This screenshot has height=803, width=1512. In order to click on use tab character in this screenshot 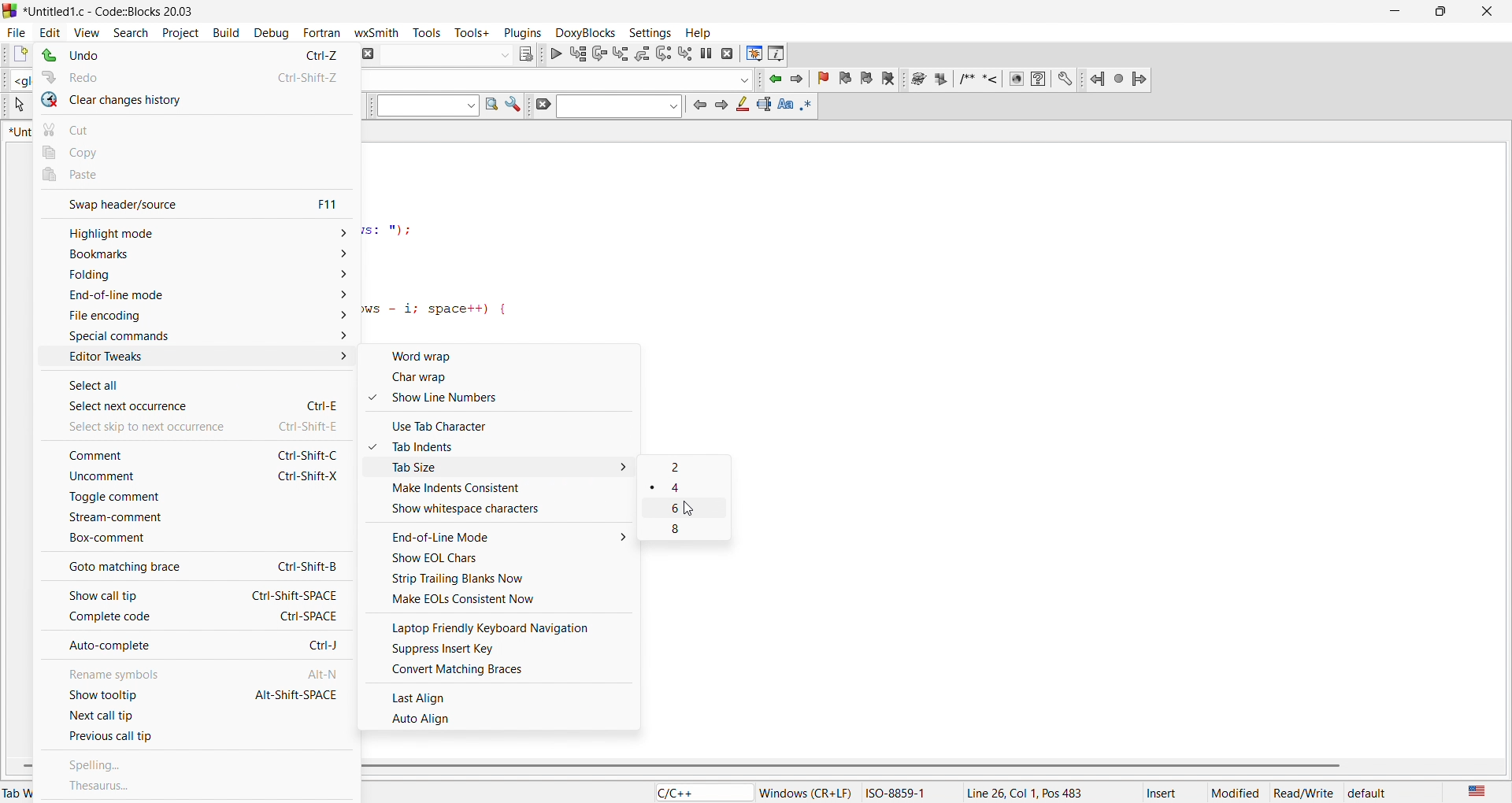, I will do `click(508, 424)`.